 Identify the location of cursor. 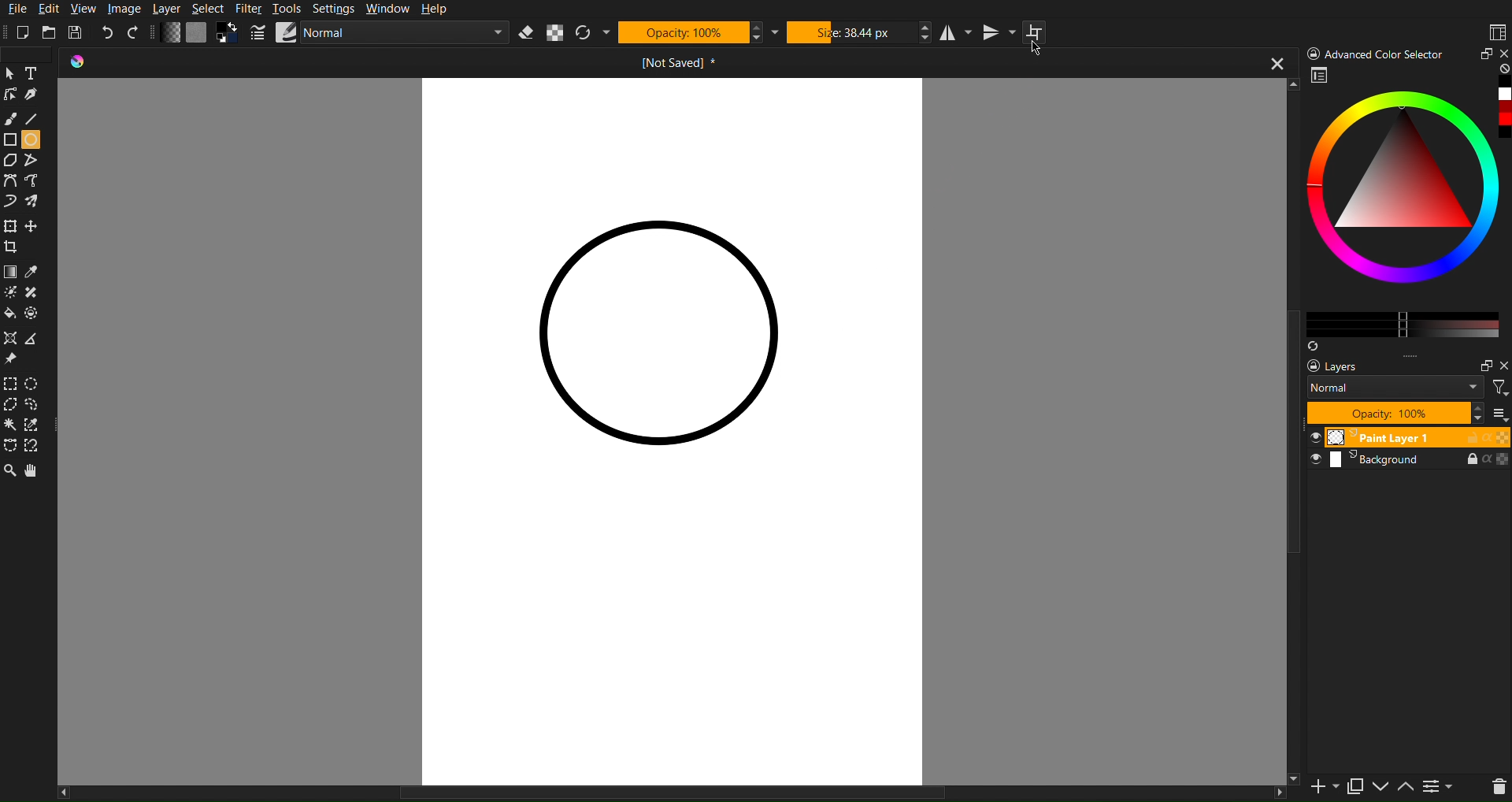
(9, 72).